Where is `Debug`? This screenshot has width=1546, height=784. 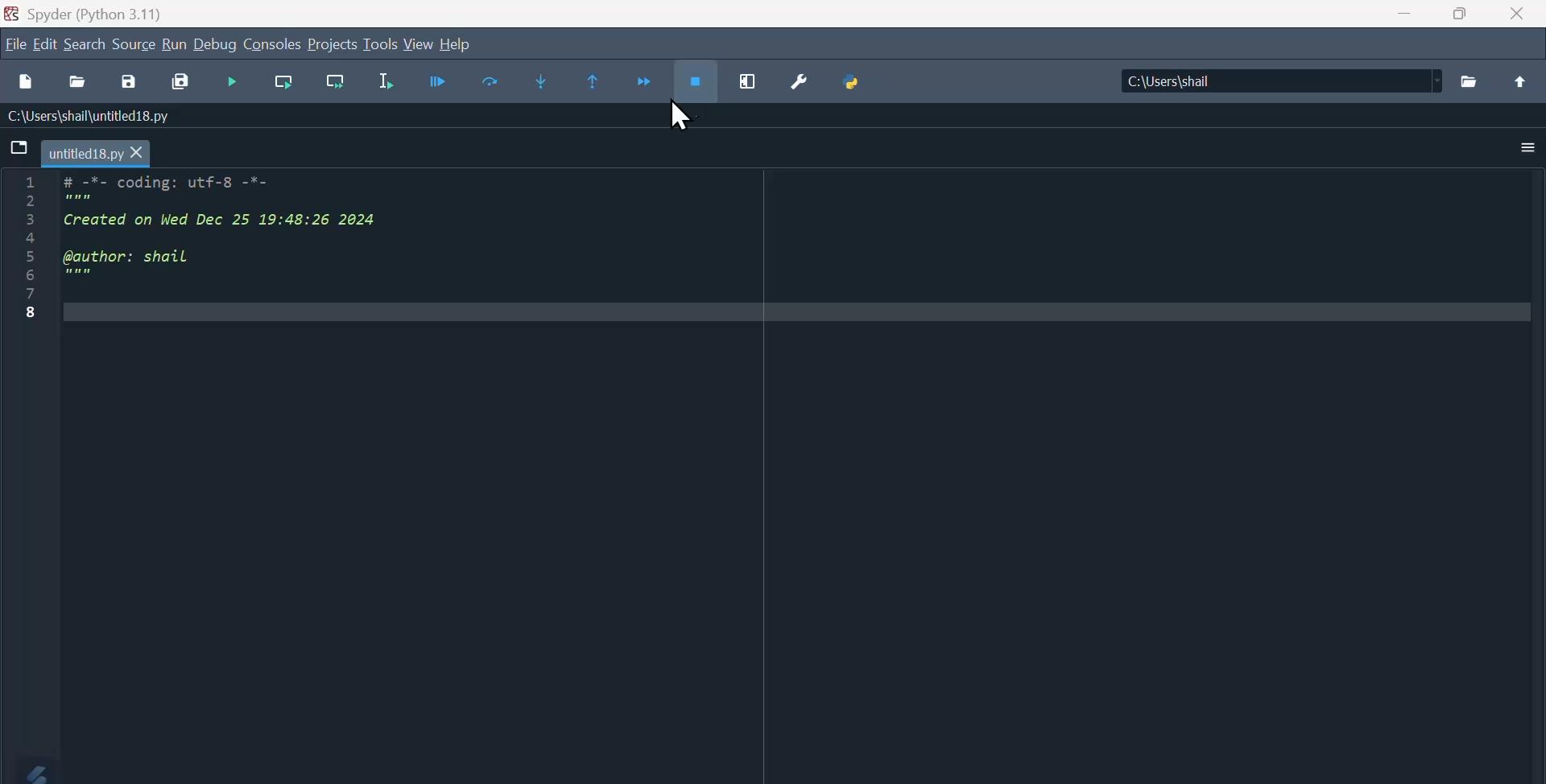 Debug is located at coordinates (217, 42).